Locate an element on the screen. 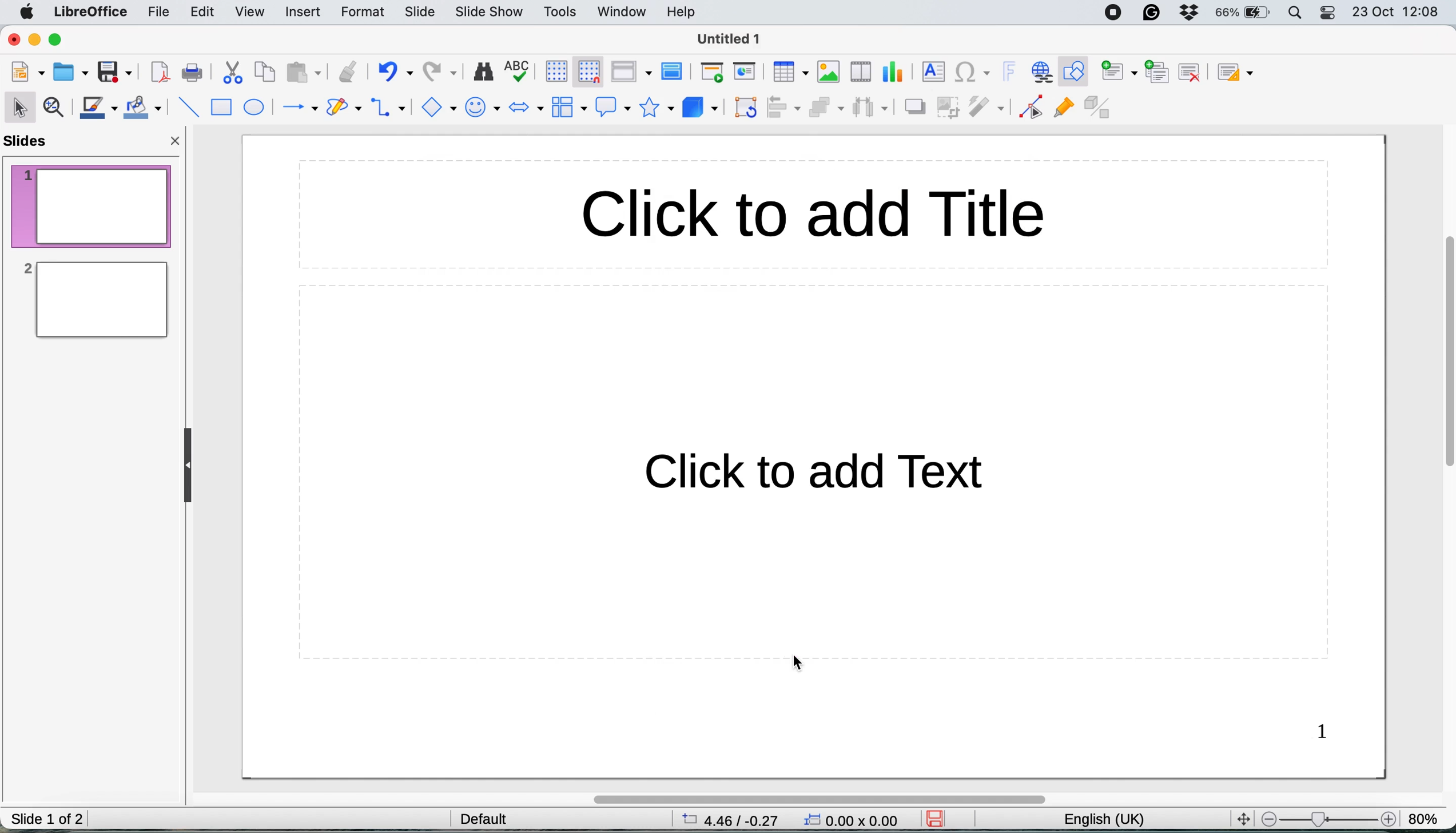  start from first slide is located at coordinates (712, 73).